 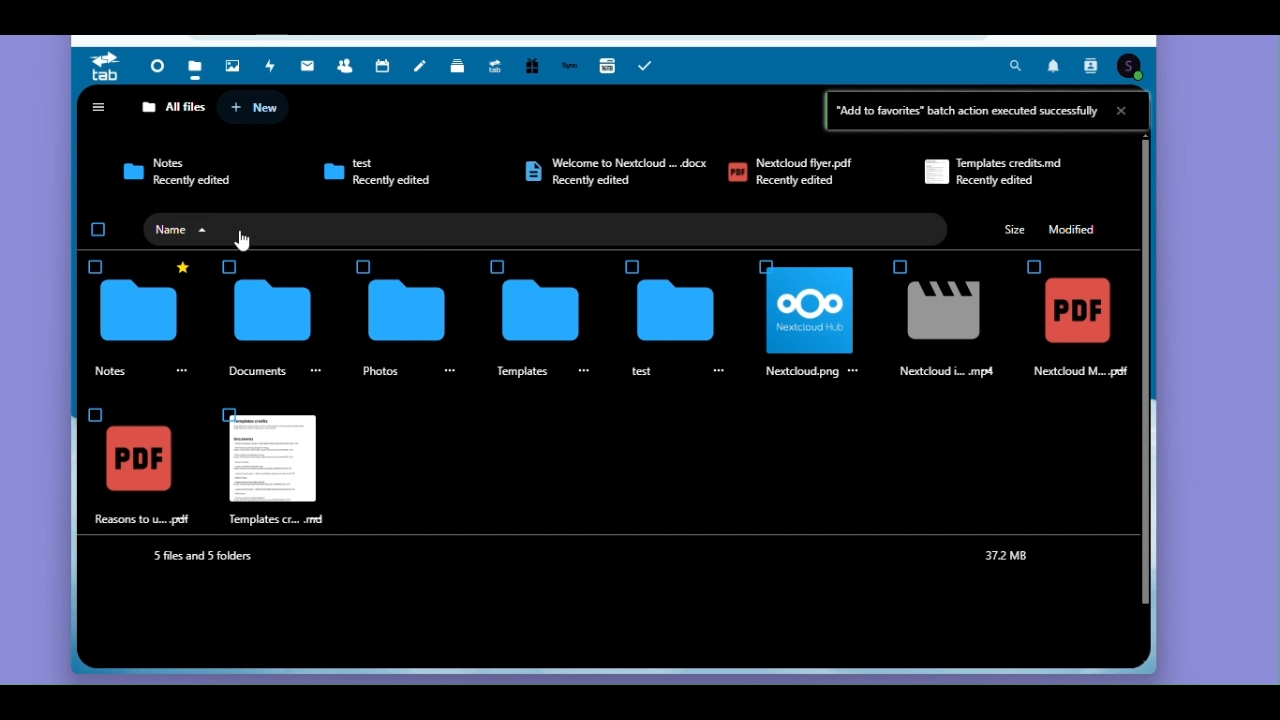 What do you see at coordinates (950, 372) in the screenshot?
I see `Nextdoud i... .mp4.` at bounding box center [950, 372].